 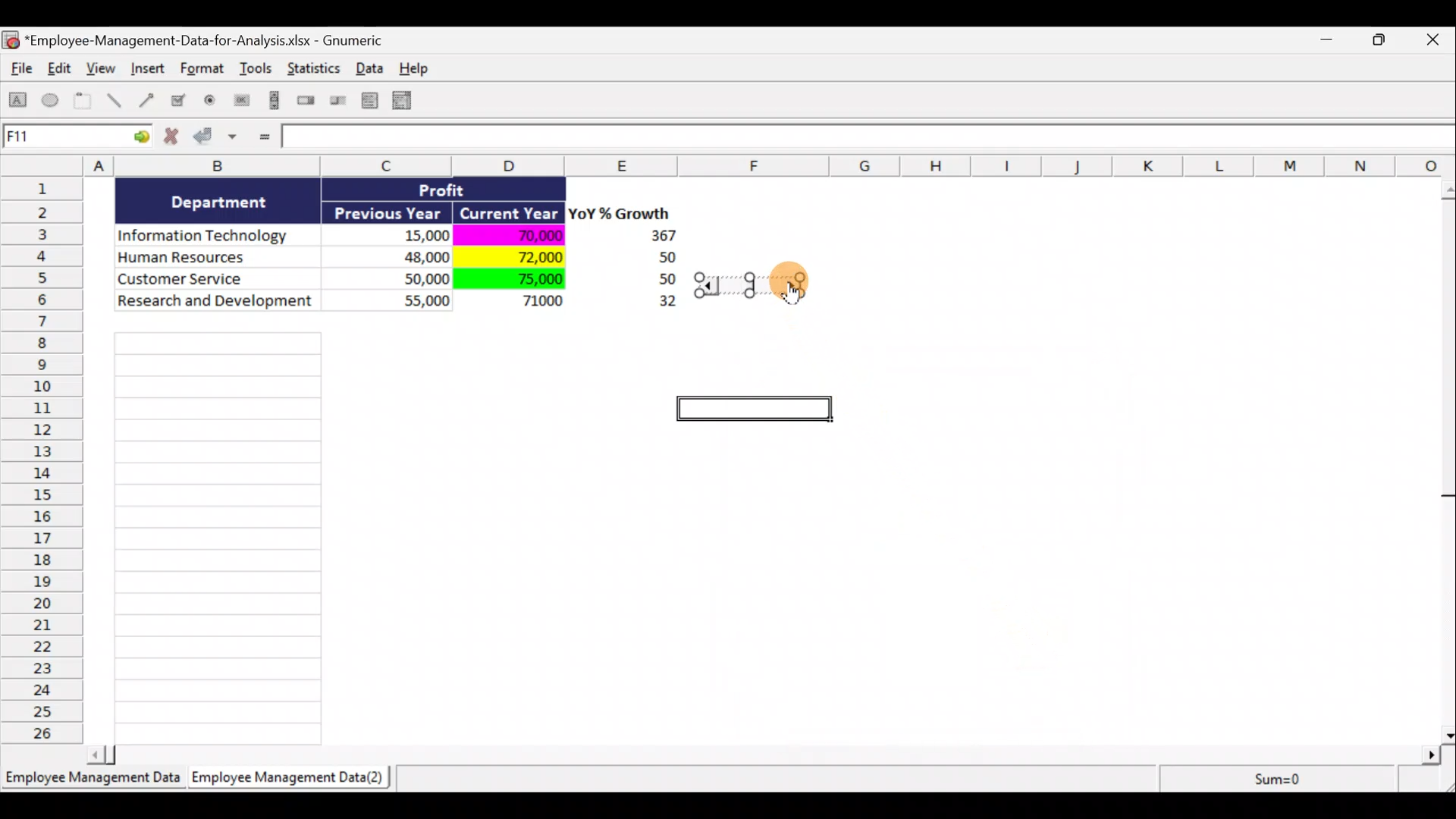 What do you see at coordinates (759, 284) in the screenshot?
I see `resize handle` at bounding box center [759, 284].